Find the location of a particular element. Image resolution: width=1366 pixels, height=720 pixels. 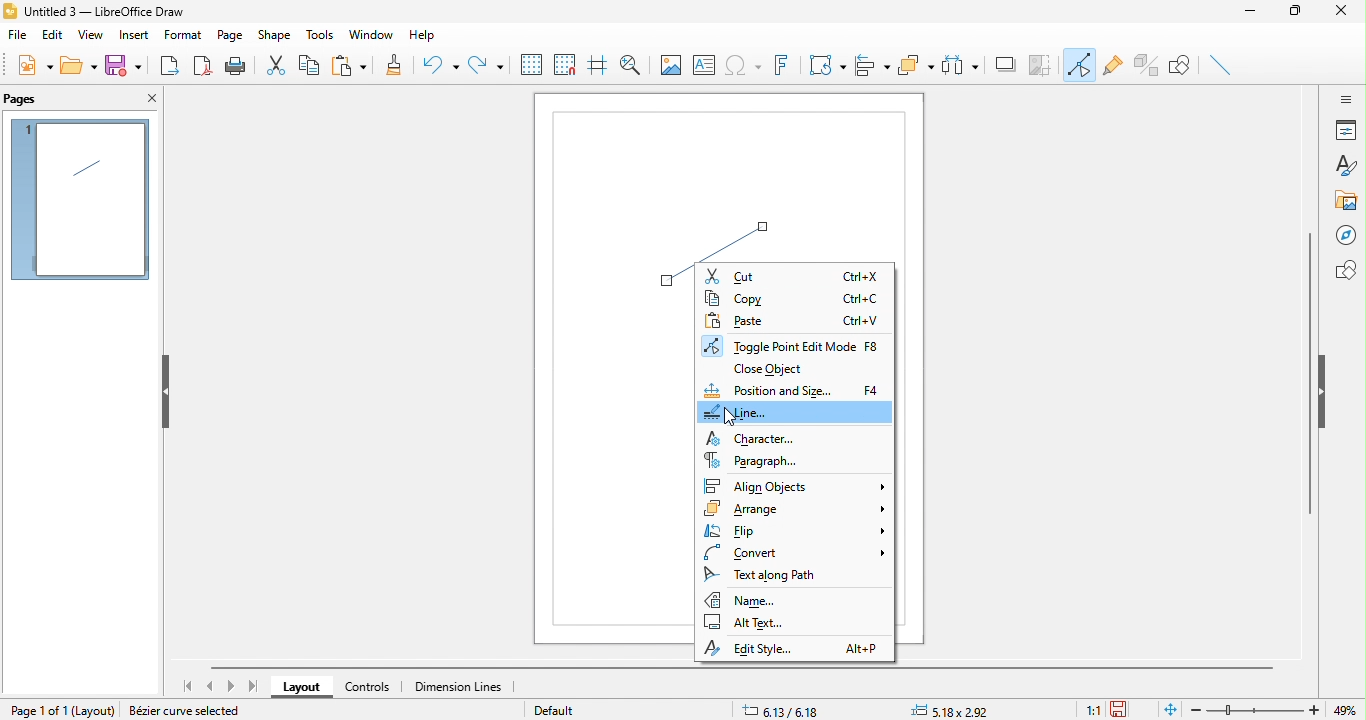

crop image is located at coordinates (1043, 63).